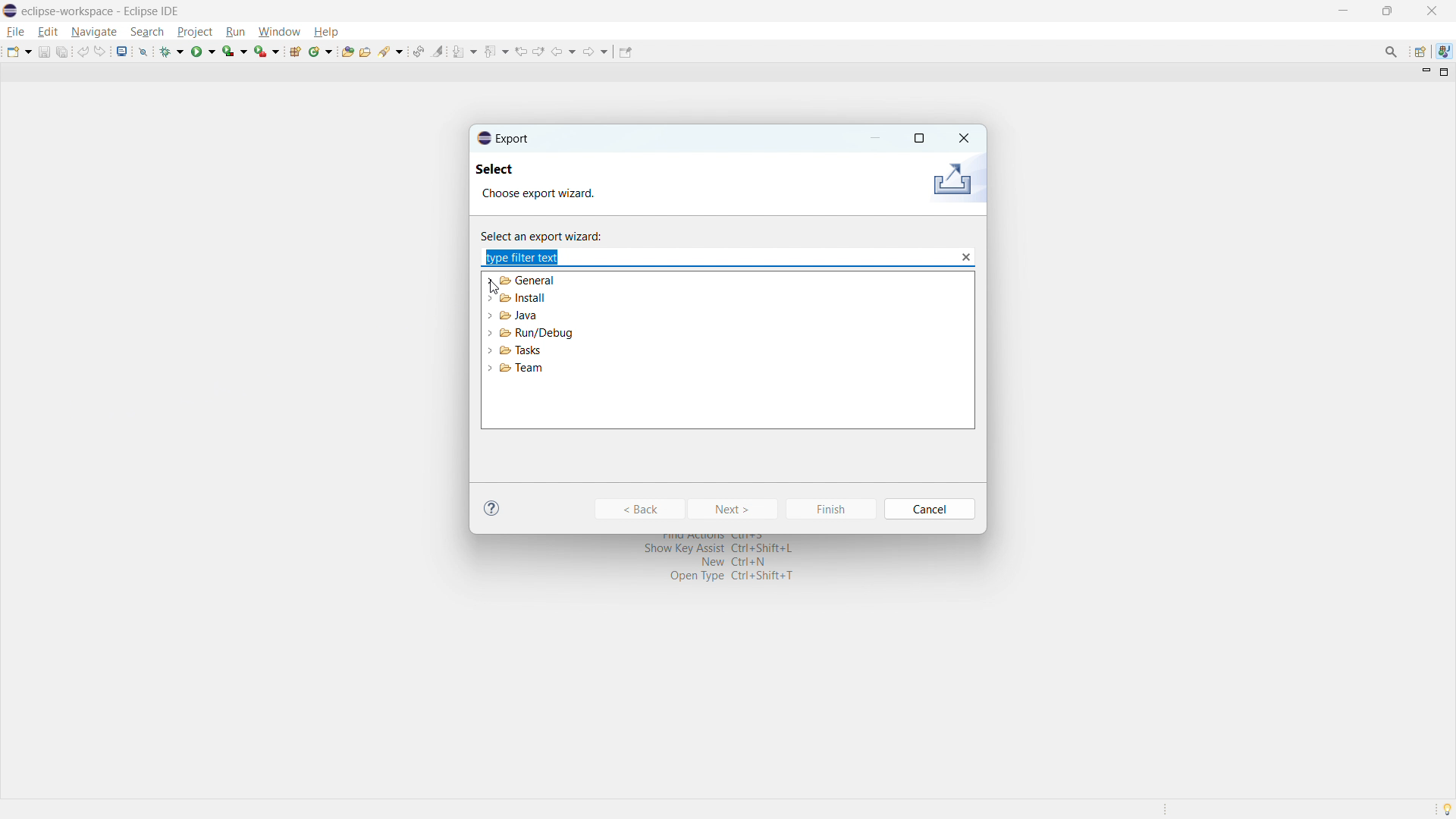  Describe the element at coordinates (1445, 72) in the screenshot. I see `maximize view` at that location.